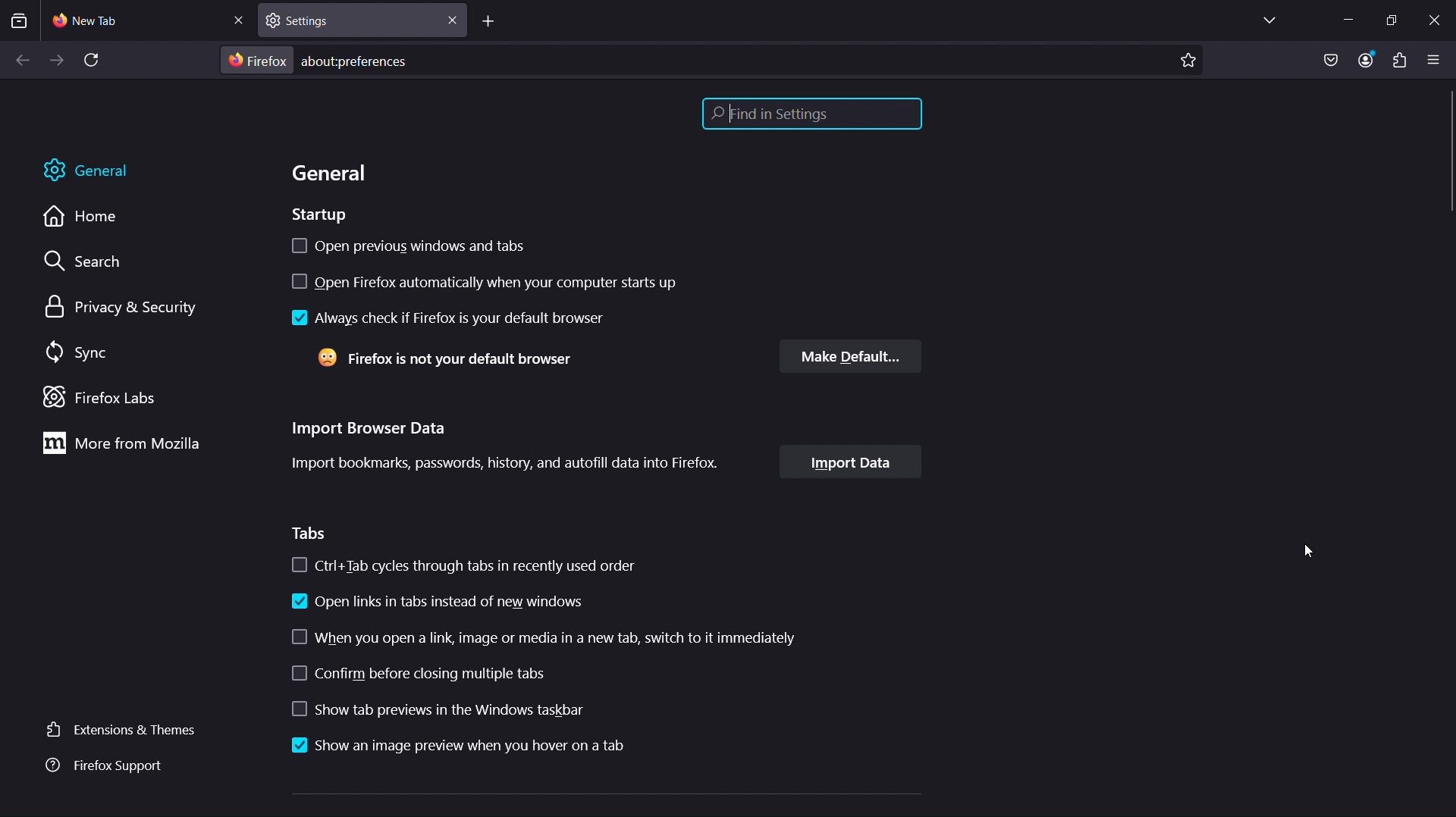  What do you see at coordinates (87, 352) in the screenshot?
I see `Sync` at bounding box center [87, 352].